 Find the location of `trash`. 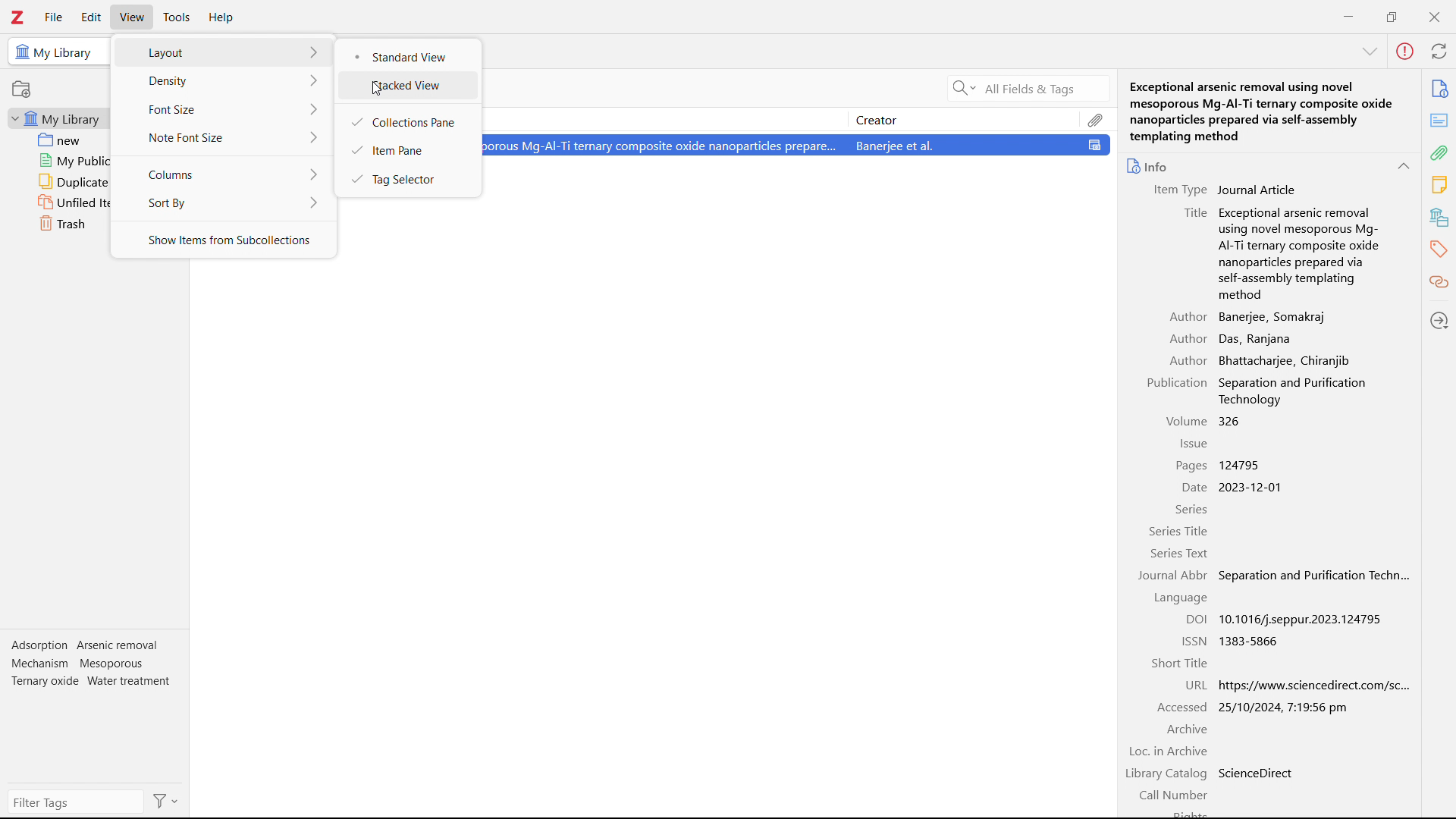

trash is located at coordinates (53, 224).